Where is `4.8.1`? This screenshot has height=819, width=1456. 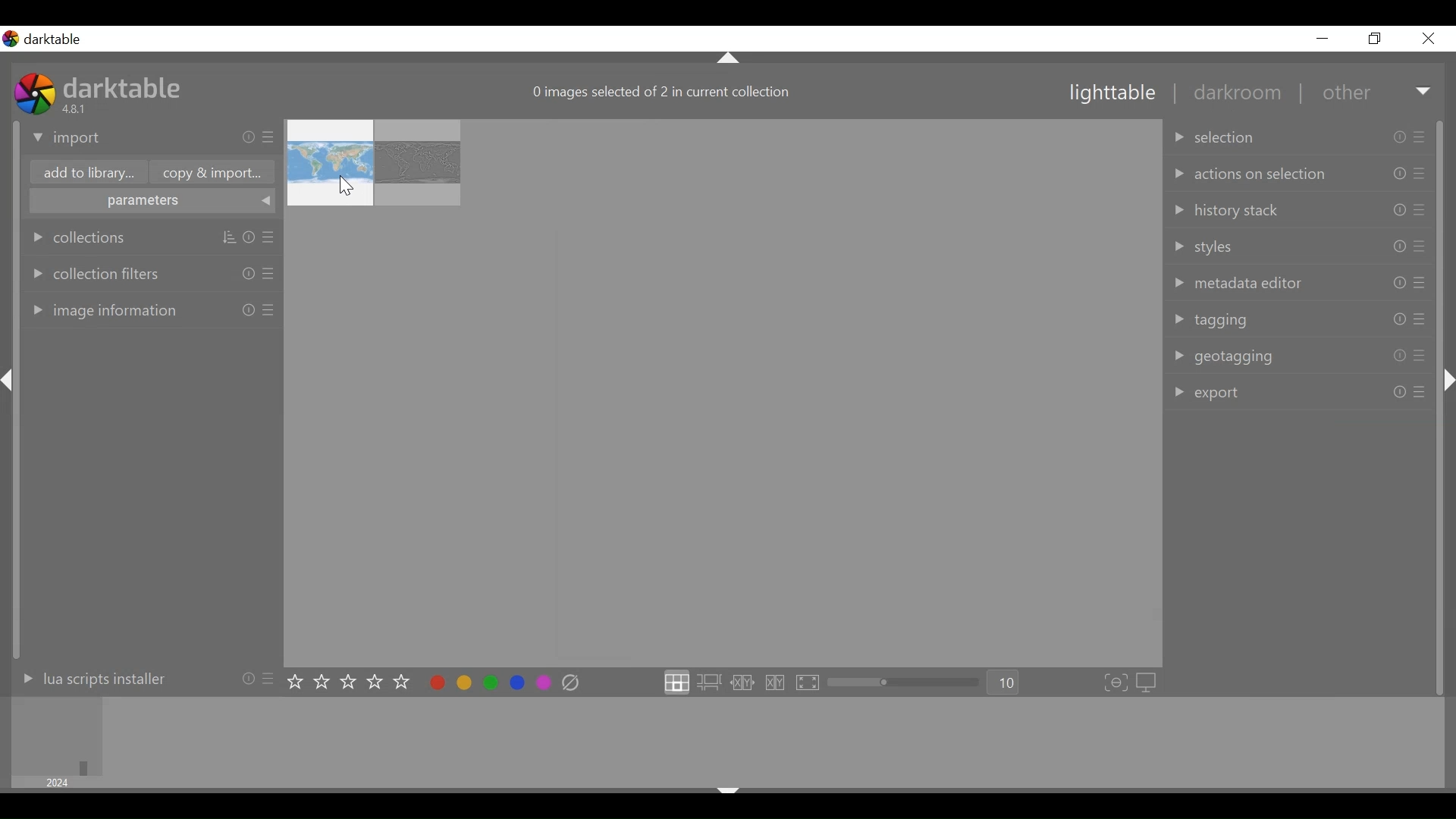
4.8.1 is located at coordinates (77, 108).